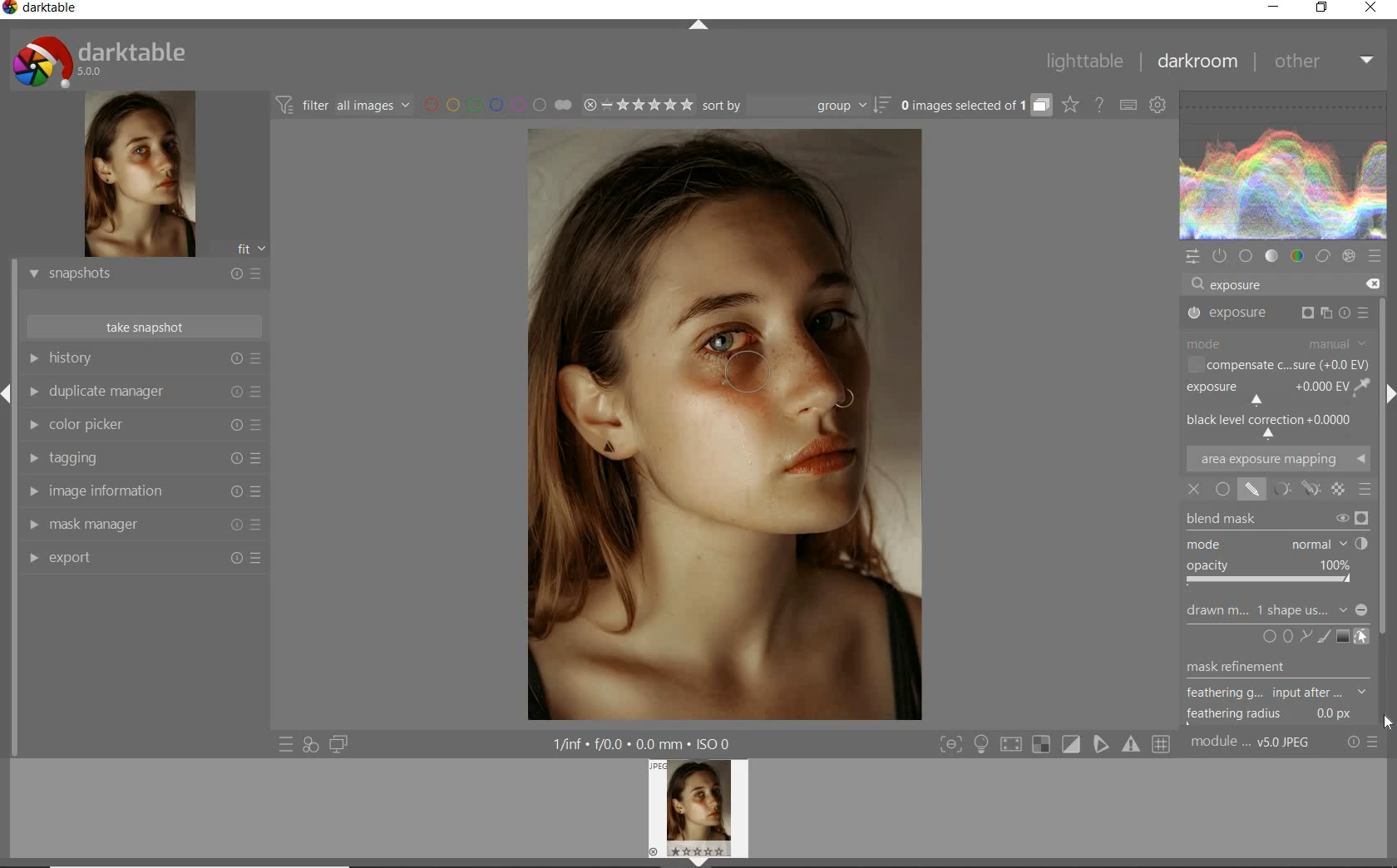 The image size is (1397, 868). I want to click on toggle modes, so click(1055, 746).